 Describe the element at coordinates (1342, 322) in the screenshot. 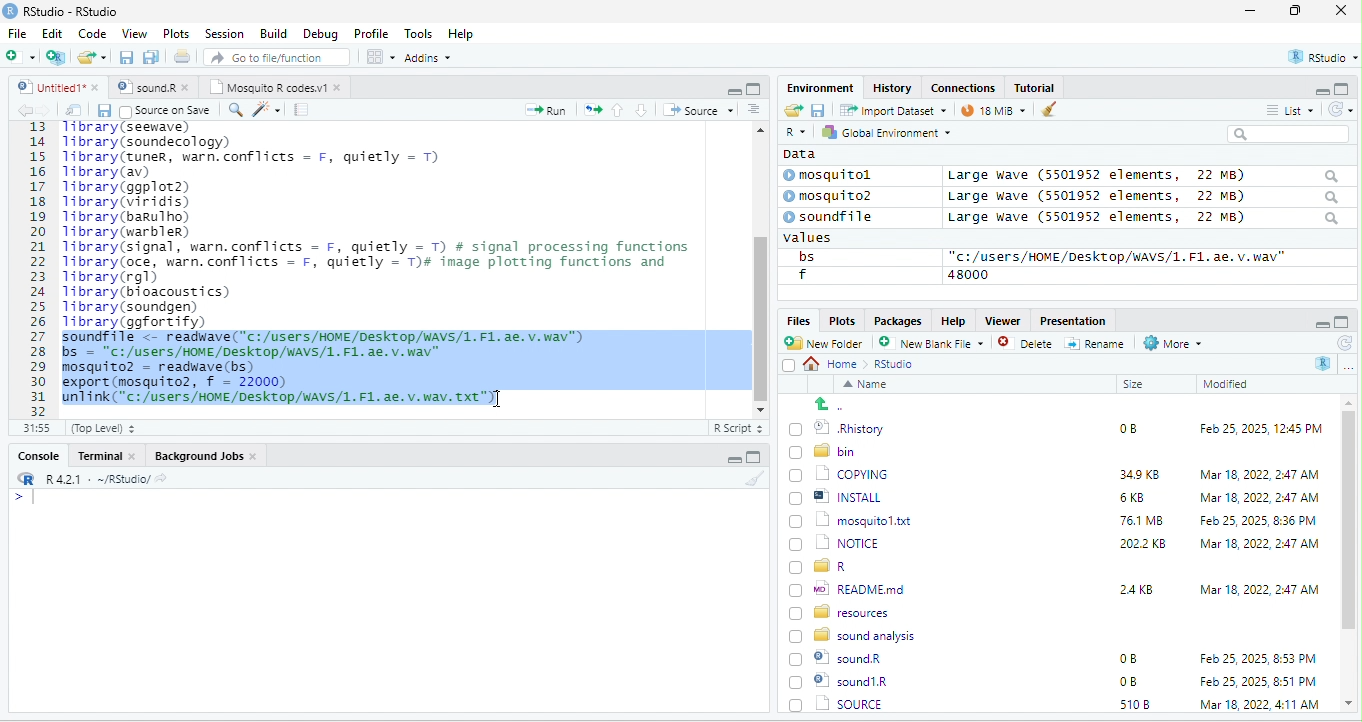

I see `maximize` at that location.